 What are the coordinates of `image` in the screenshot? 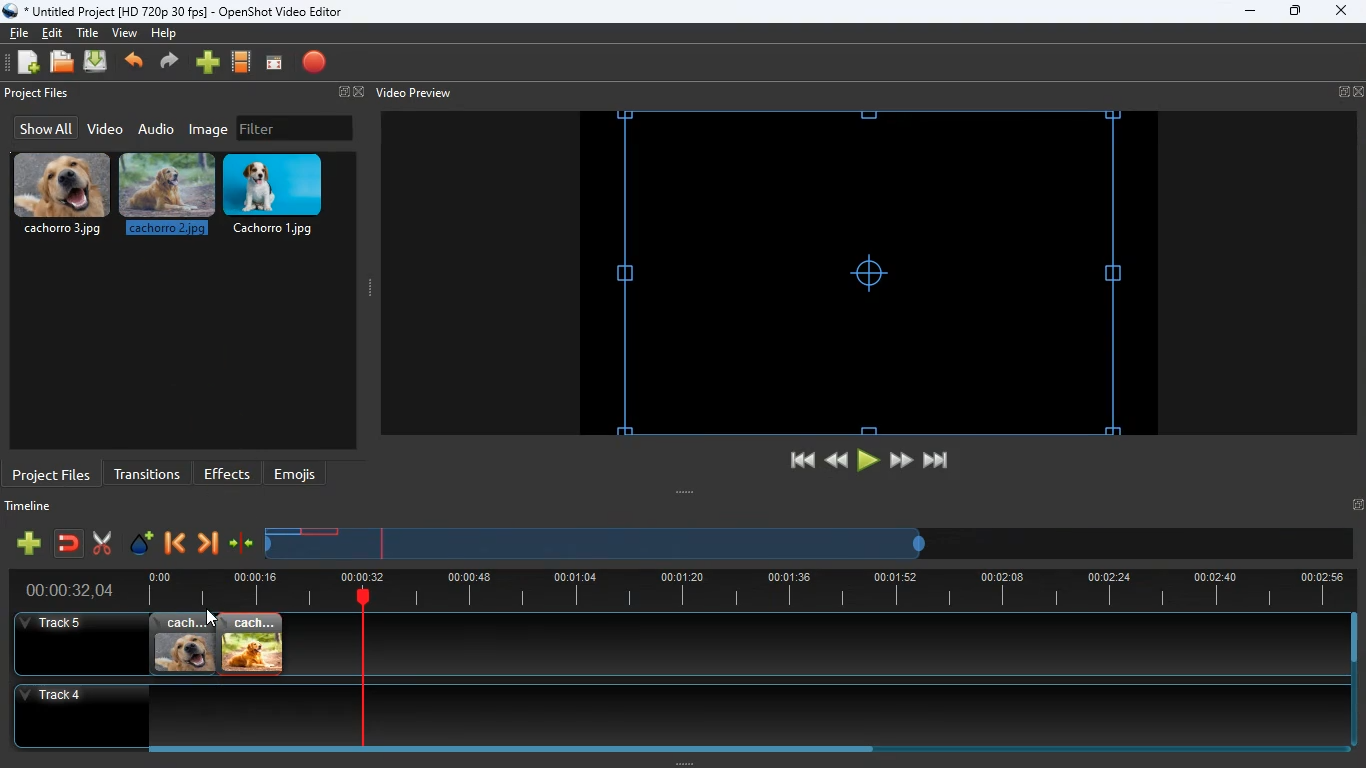 It's located at (210, 129).